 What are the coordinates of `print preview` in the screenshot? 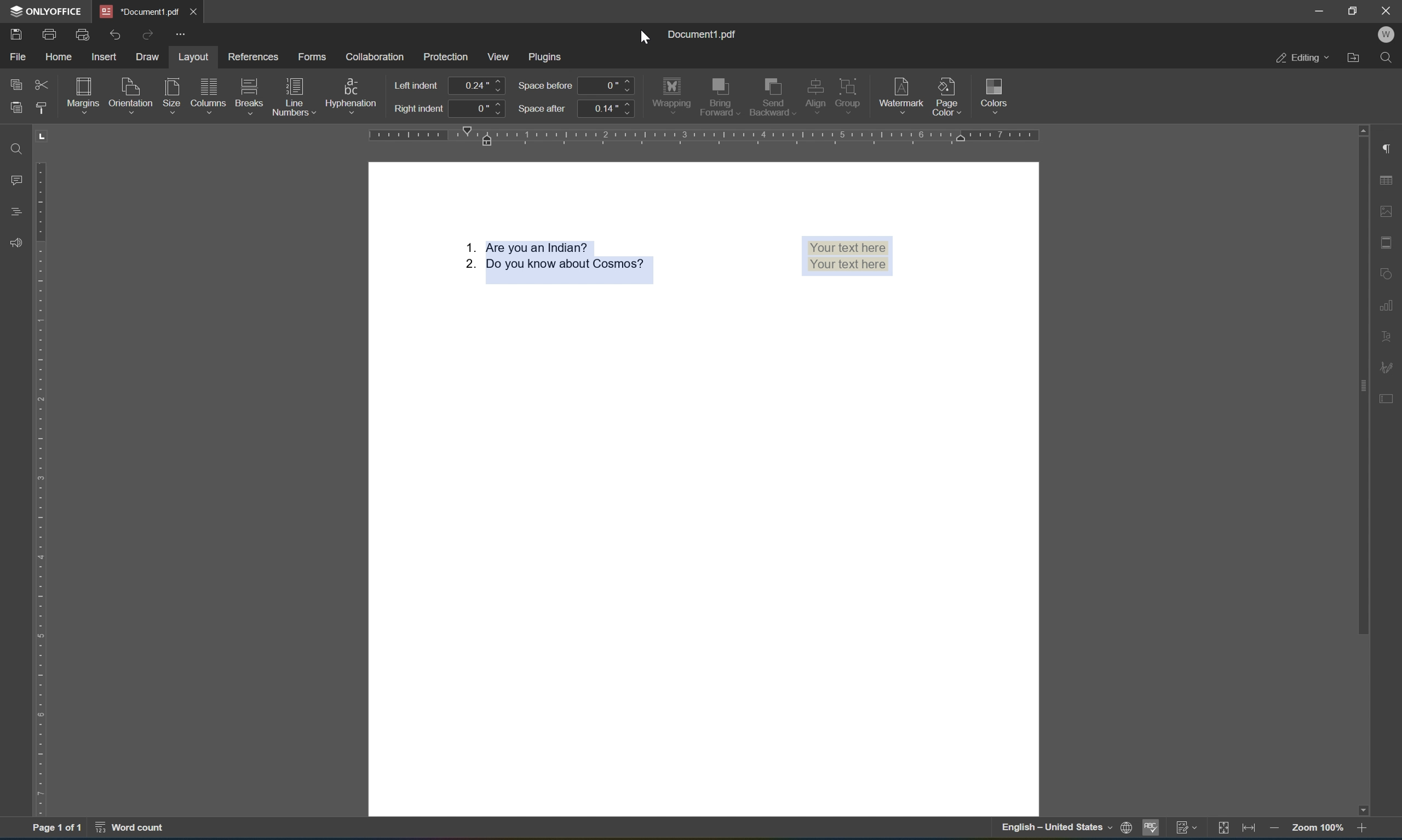 It's located at (85, 35).